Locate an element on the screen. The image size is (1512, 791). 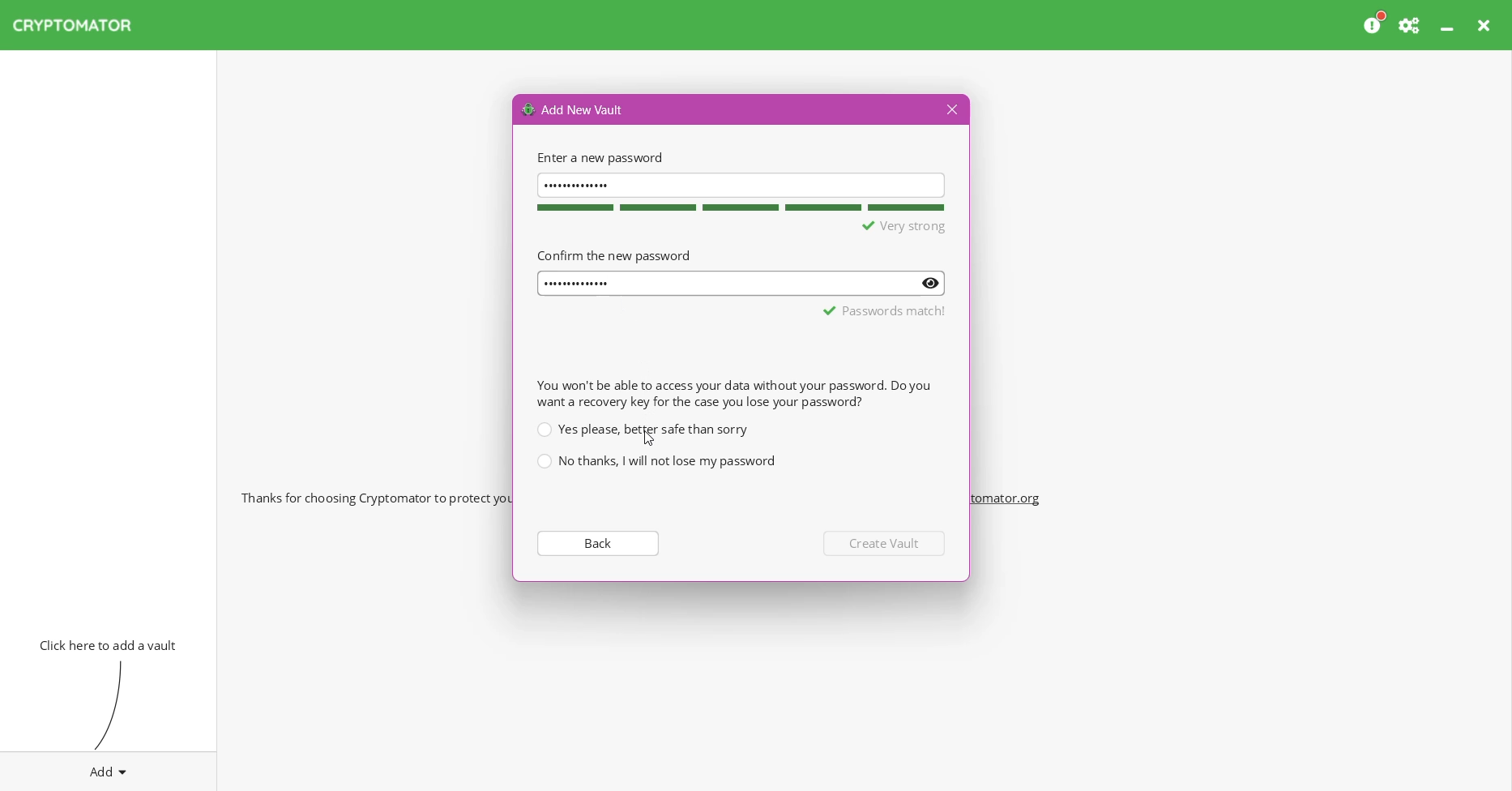
CRYPTOMATOR Application Name is located at coordinates (80, 25).